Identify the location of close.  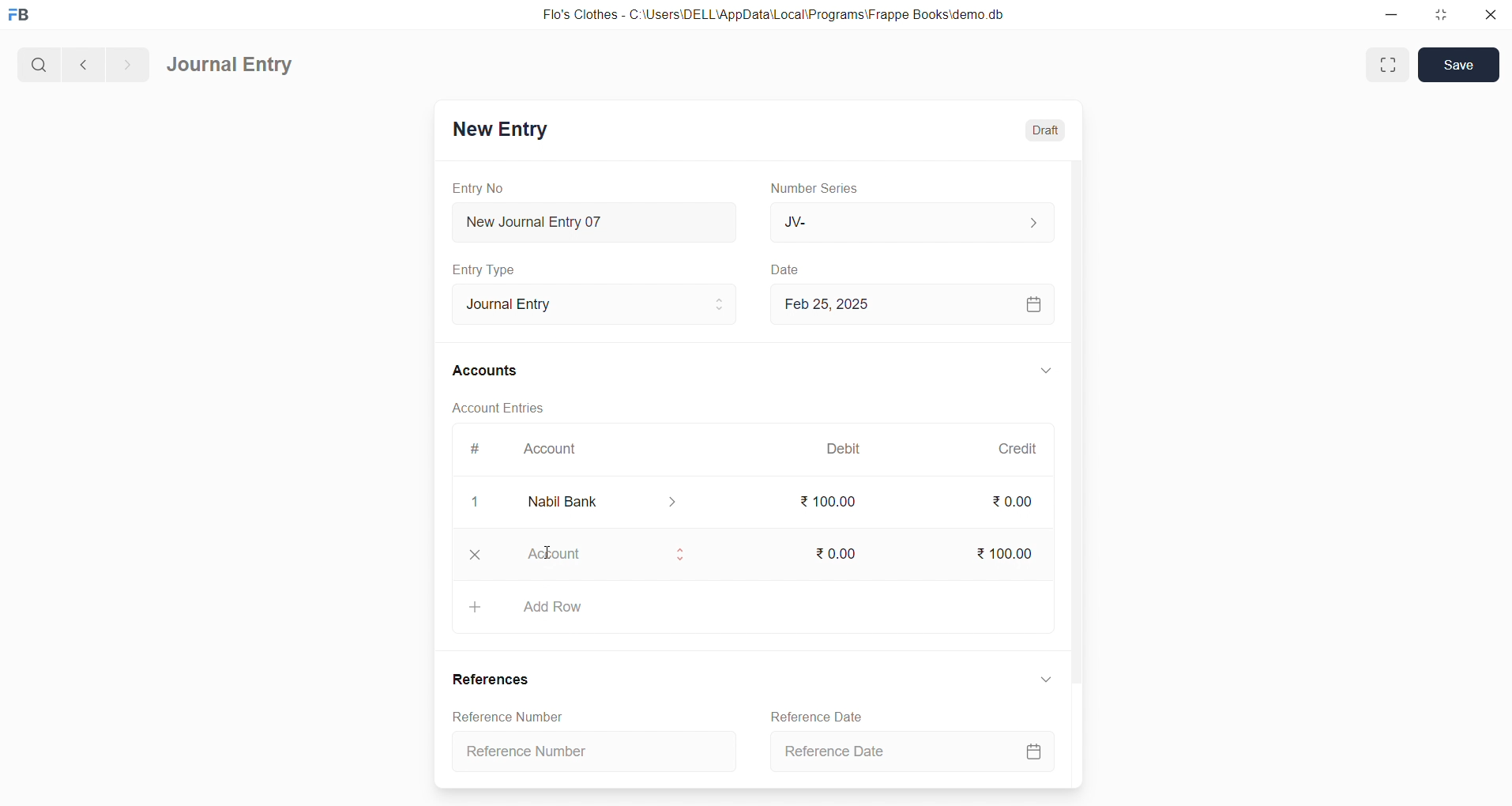
(1489, 16).